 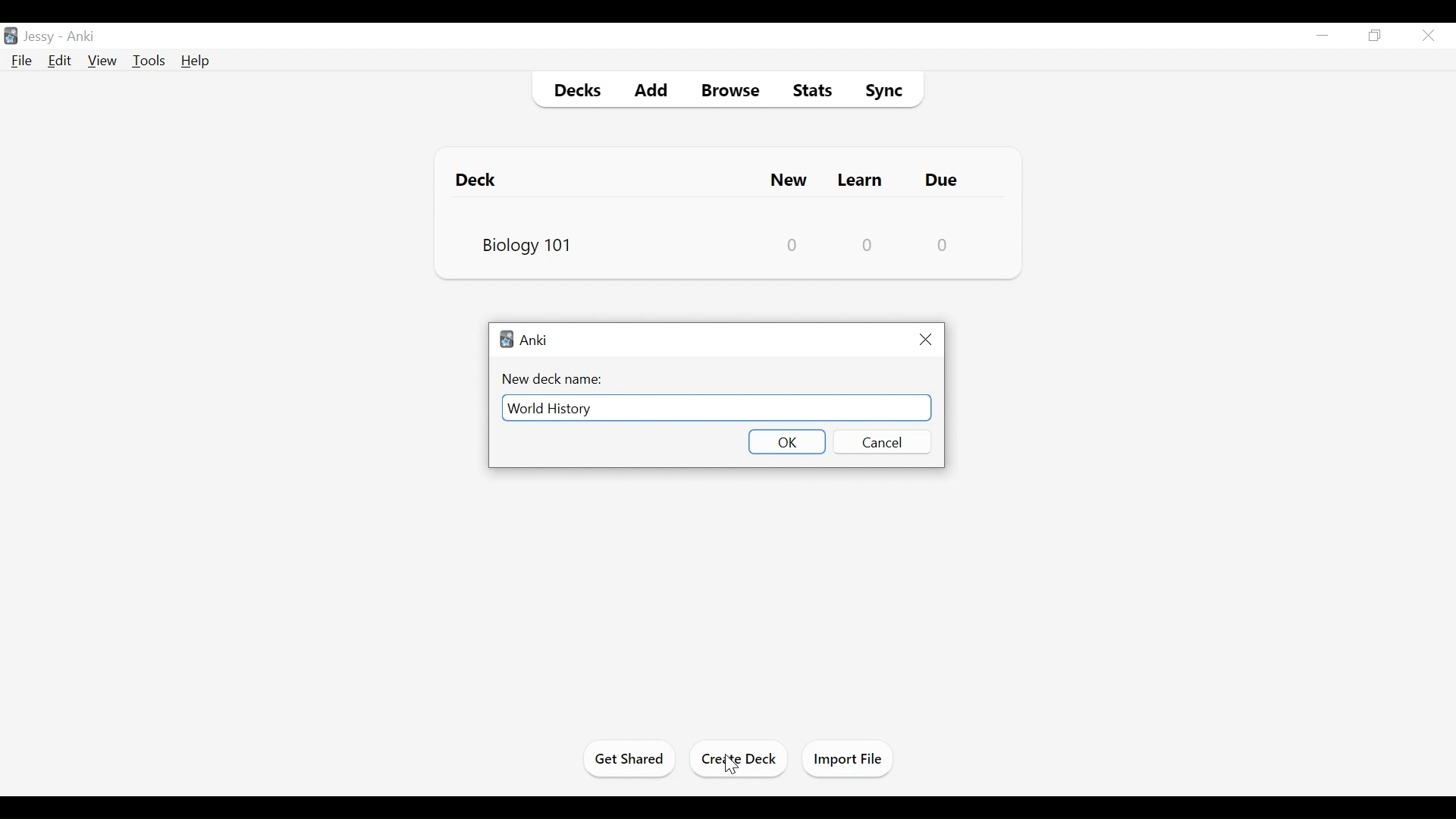 I want to click on Edit, so click(x=61, y=61).